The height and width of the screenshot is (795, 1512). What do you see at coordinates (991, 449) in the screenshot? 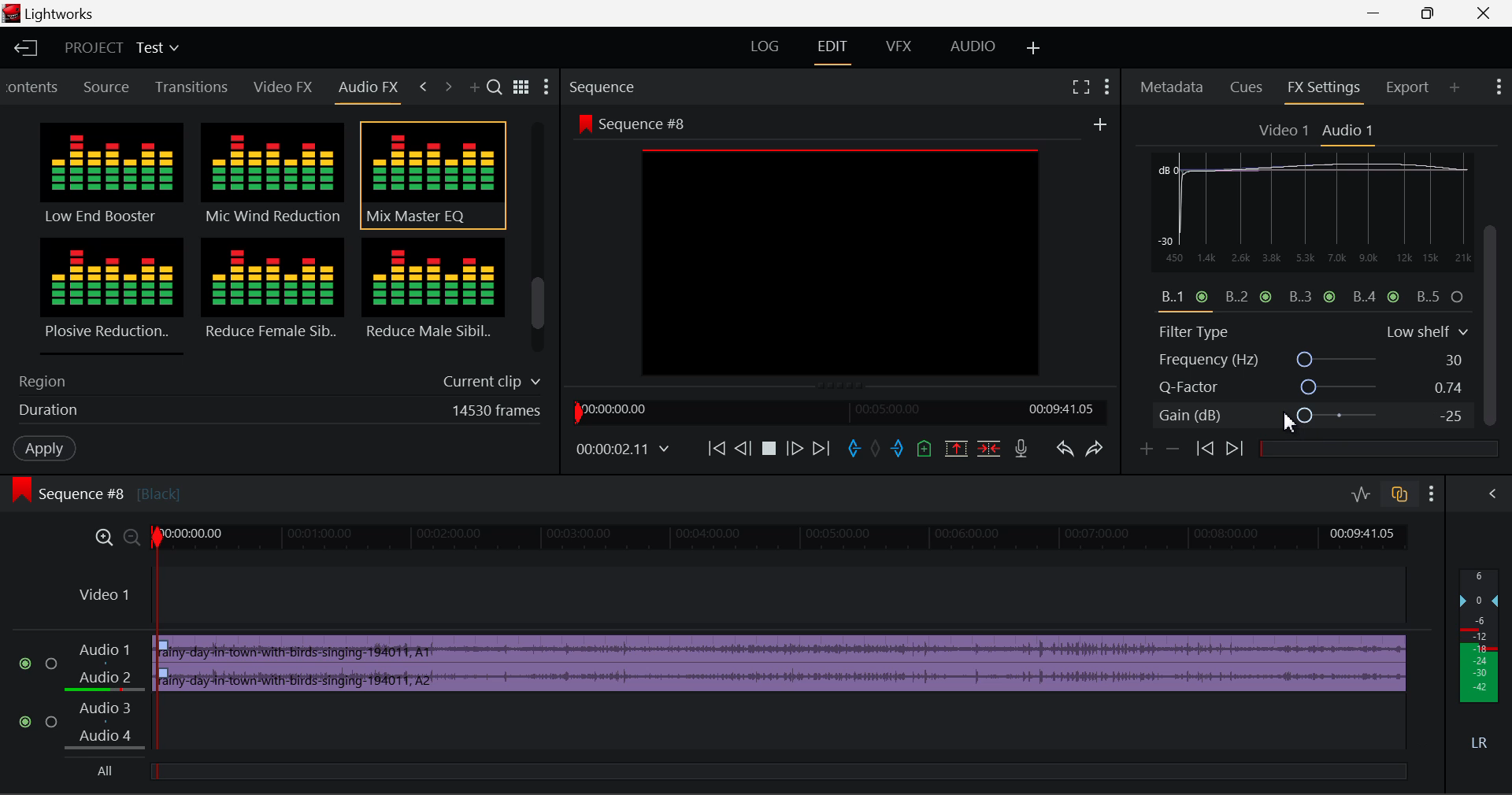
I see `Delete/Cut` at bounding box center [991, 449].